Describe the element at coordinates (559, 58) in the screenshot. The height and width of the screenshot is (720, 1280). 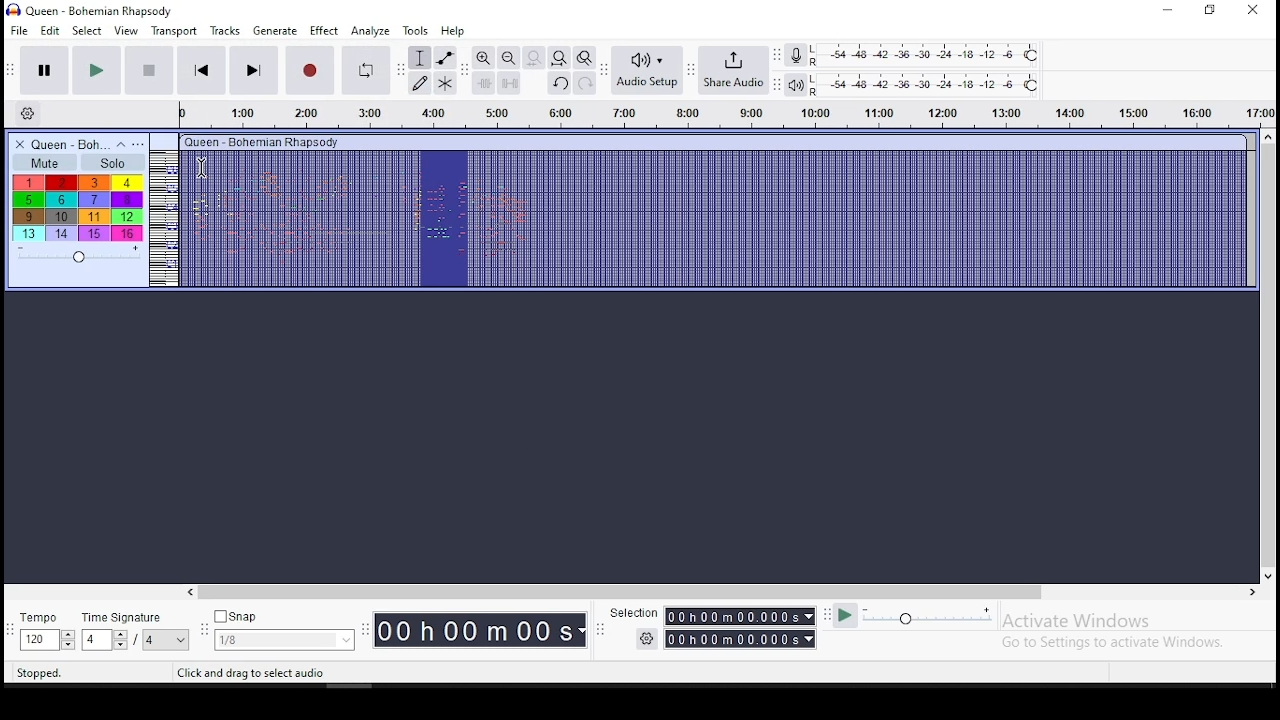
I see `fit to project to width` at that location.